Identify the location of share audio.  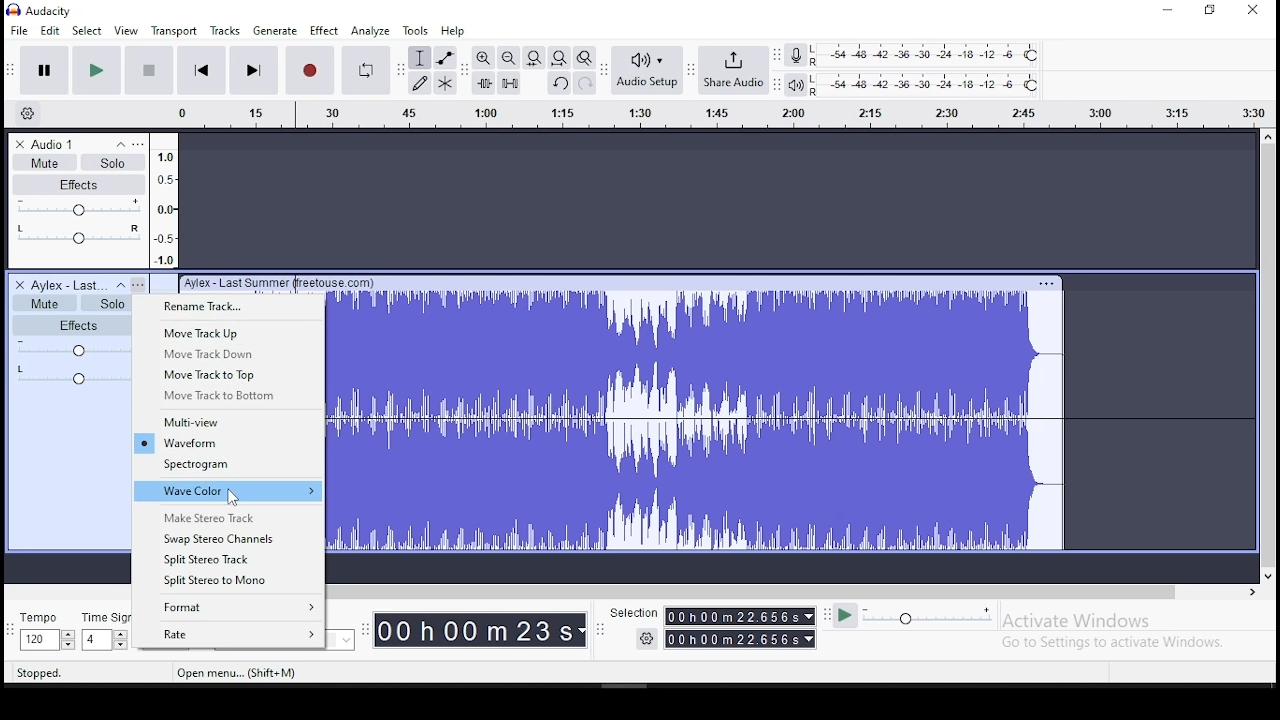
(733, 70).